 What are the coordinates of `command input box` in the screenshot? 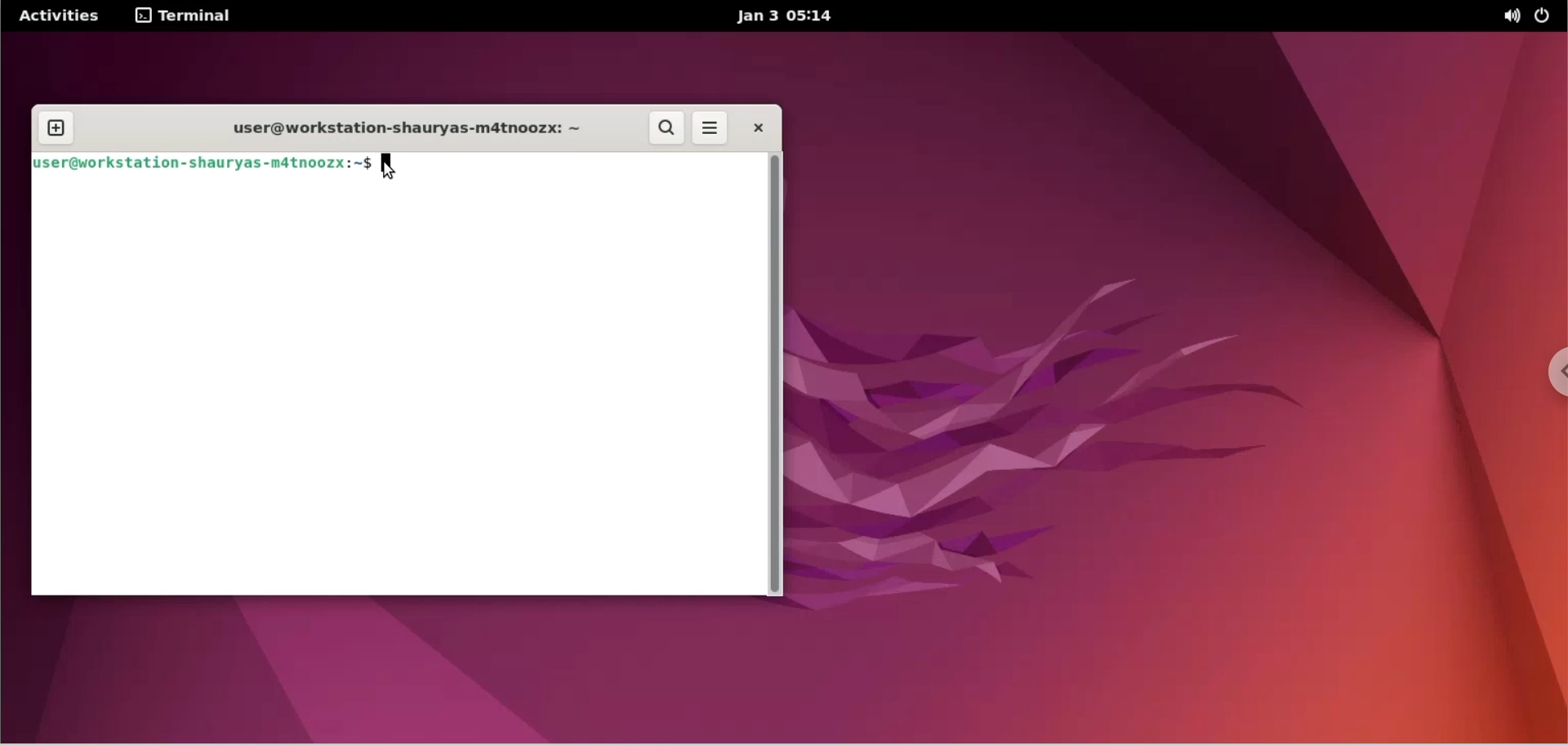 It's located at (396, 390).